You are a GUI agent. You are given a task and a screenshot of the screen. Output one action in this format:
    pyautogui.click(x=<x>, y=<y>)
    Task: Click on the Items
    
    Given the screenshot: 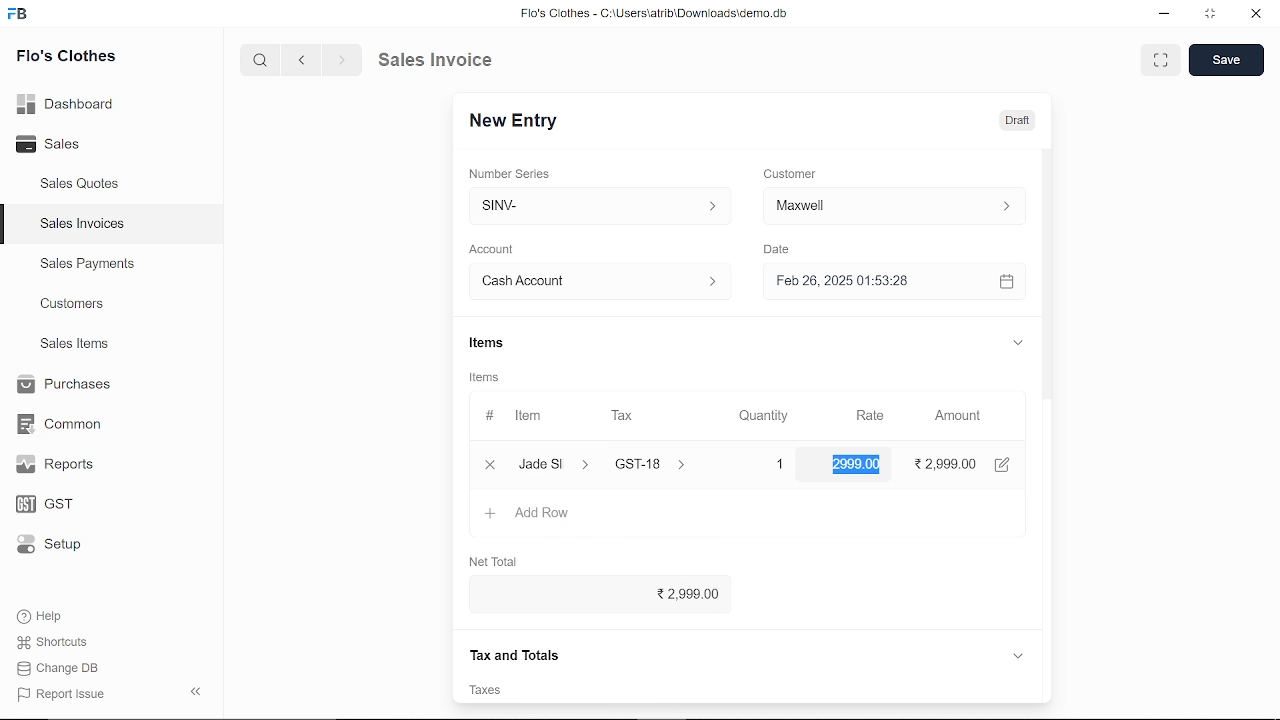 What is the action you would take?
    pyautogui.click(x=485, y=345)
    